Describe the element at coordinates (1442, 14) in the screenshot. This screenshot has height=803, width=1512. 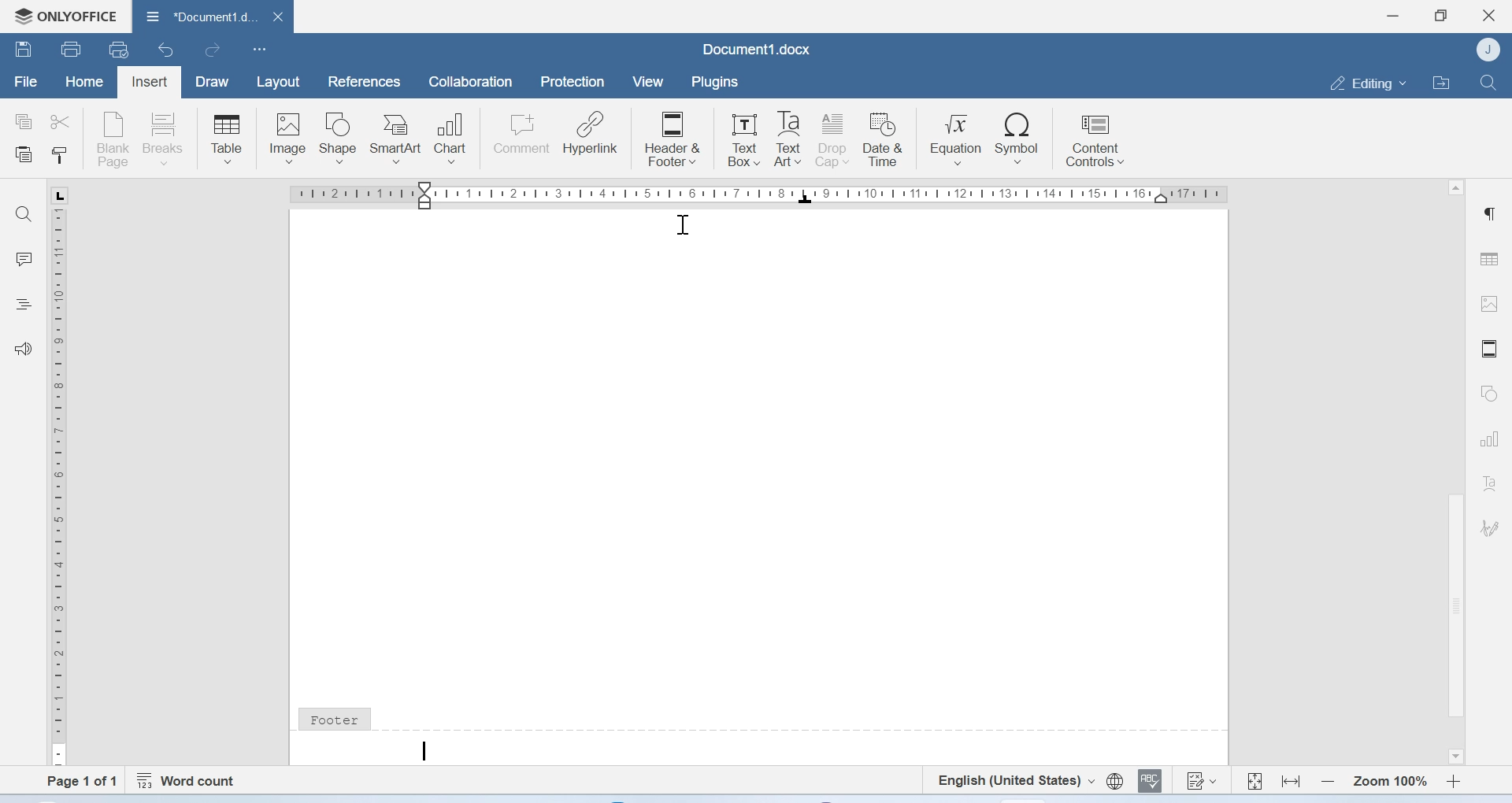
I see `Maximize` at that location.